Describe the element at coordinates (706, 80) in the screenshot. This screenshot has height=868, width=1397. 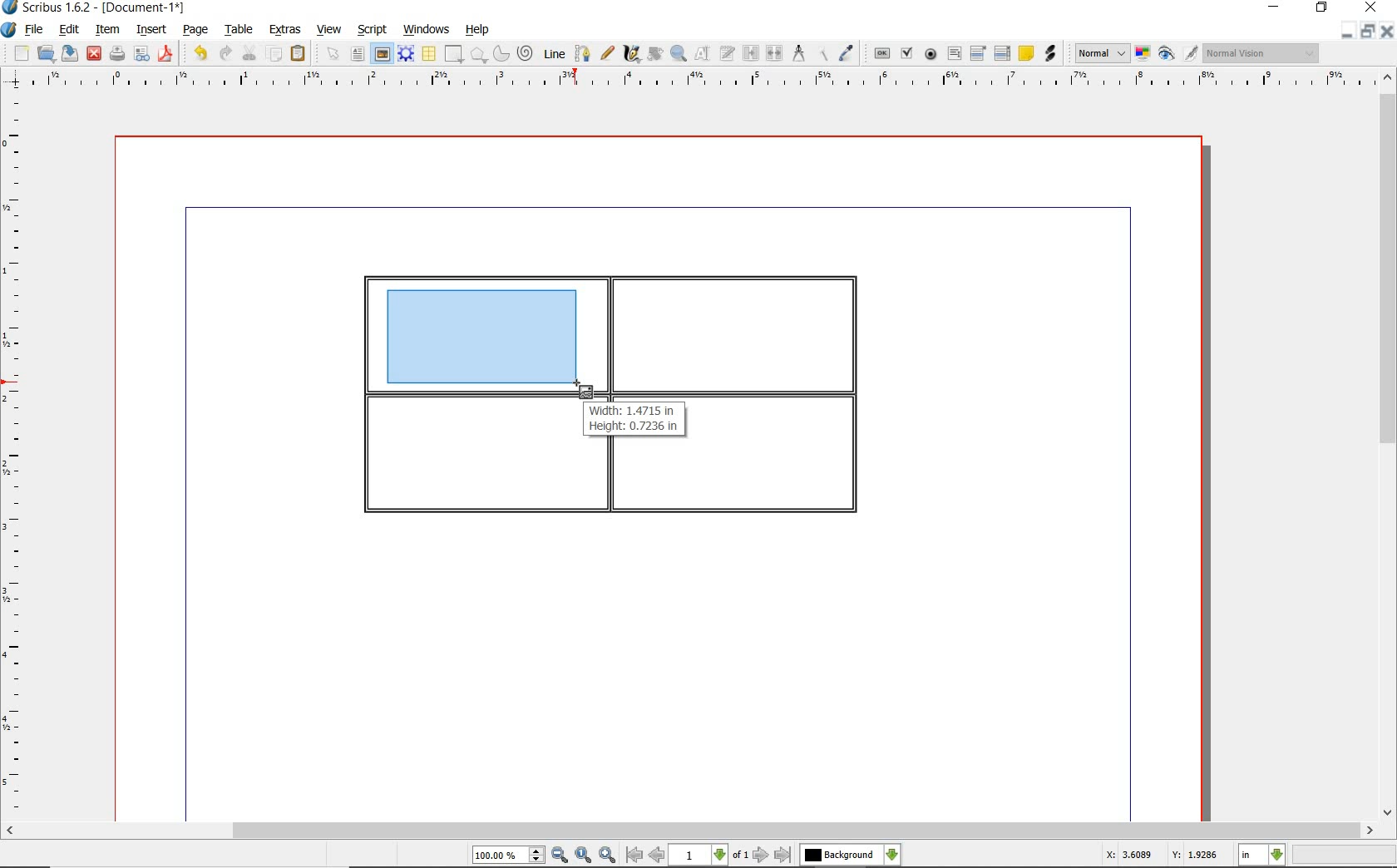
I see `ruler` at that location.